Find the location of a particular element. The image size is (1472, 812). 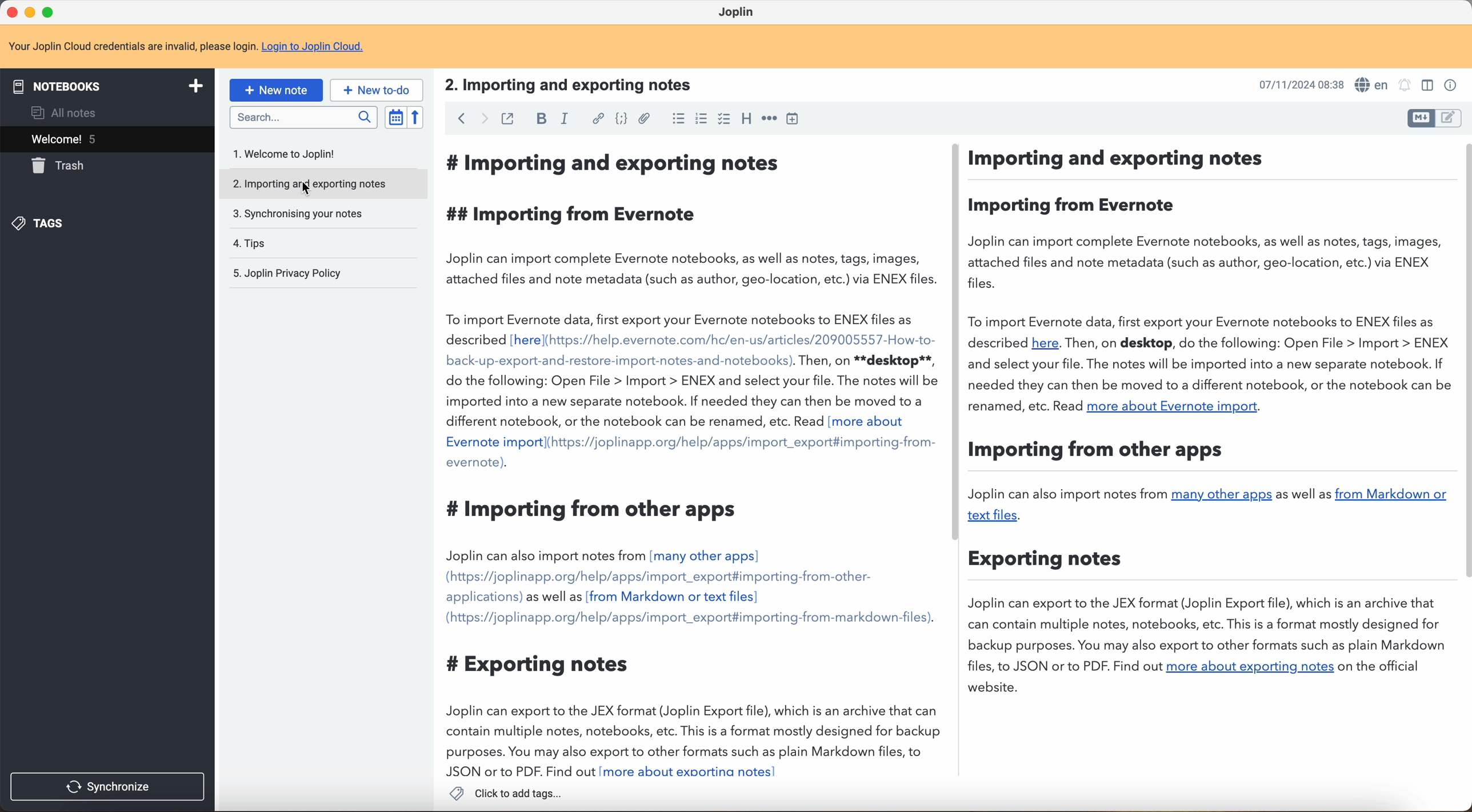

toggle sort order field is located at coordinates (394, 117).